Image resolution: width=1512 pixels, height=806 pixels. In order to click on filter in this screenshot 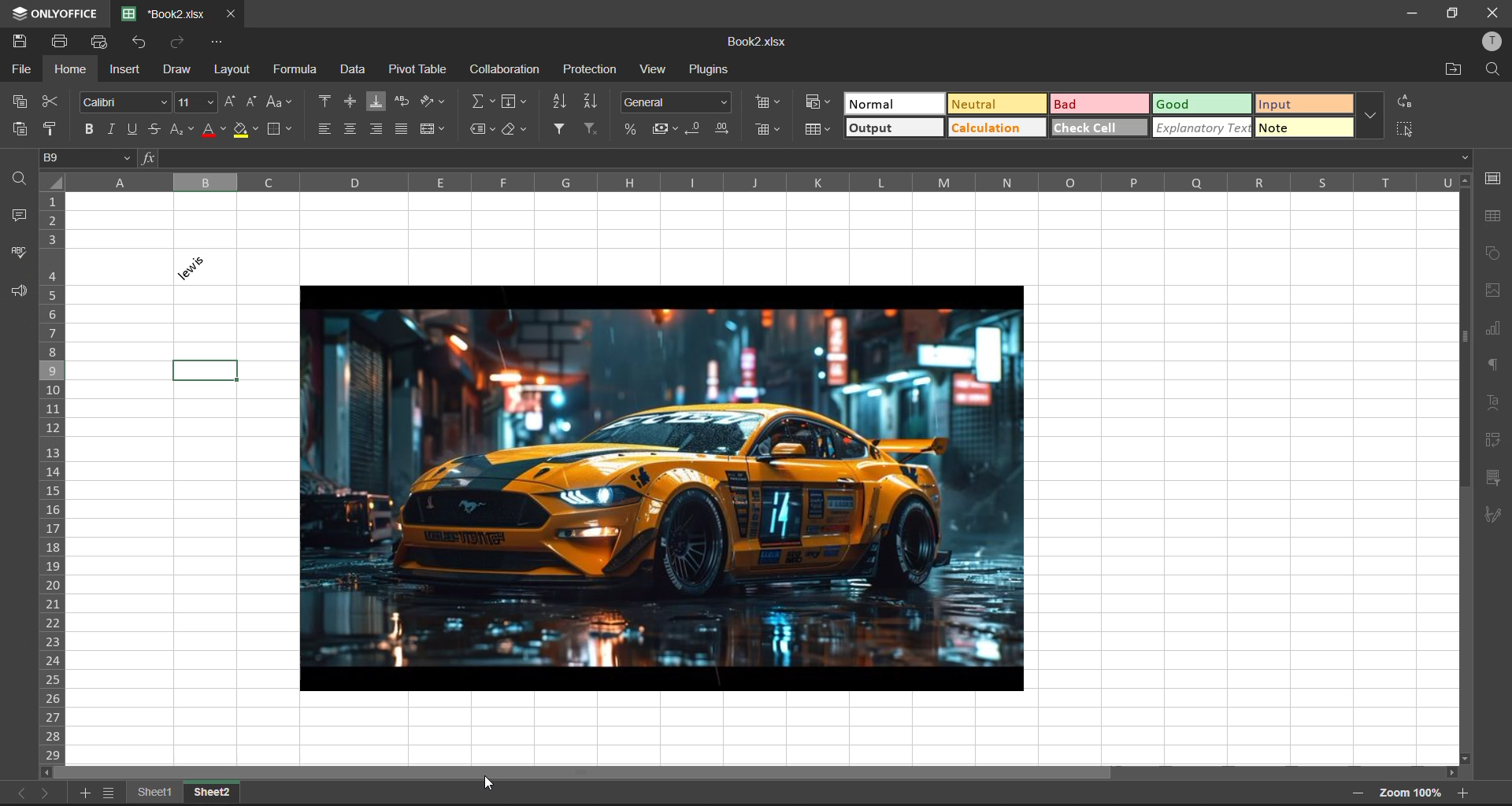, I will do `click(560, 130)`.